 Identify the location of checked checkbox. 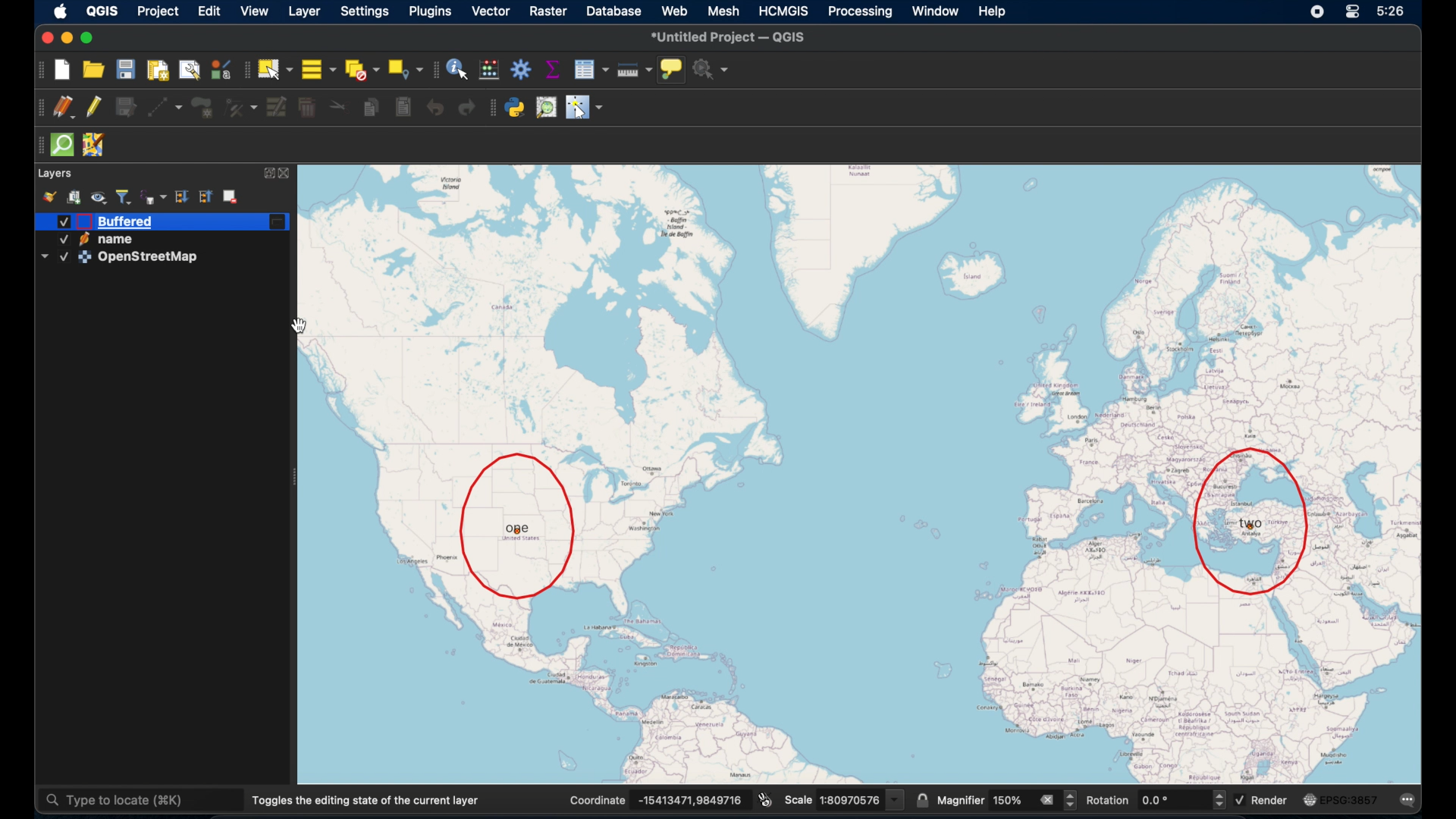
(1239, 798).